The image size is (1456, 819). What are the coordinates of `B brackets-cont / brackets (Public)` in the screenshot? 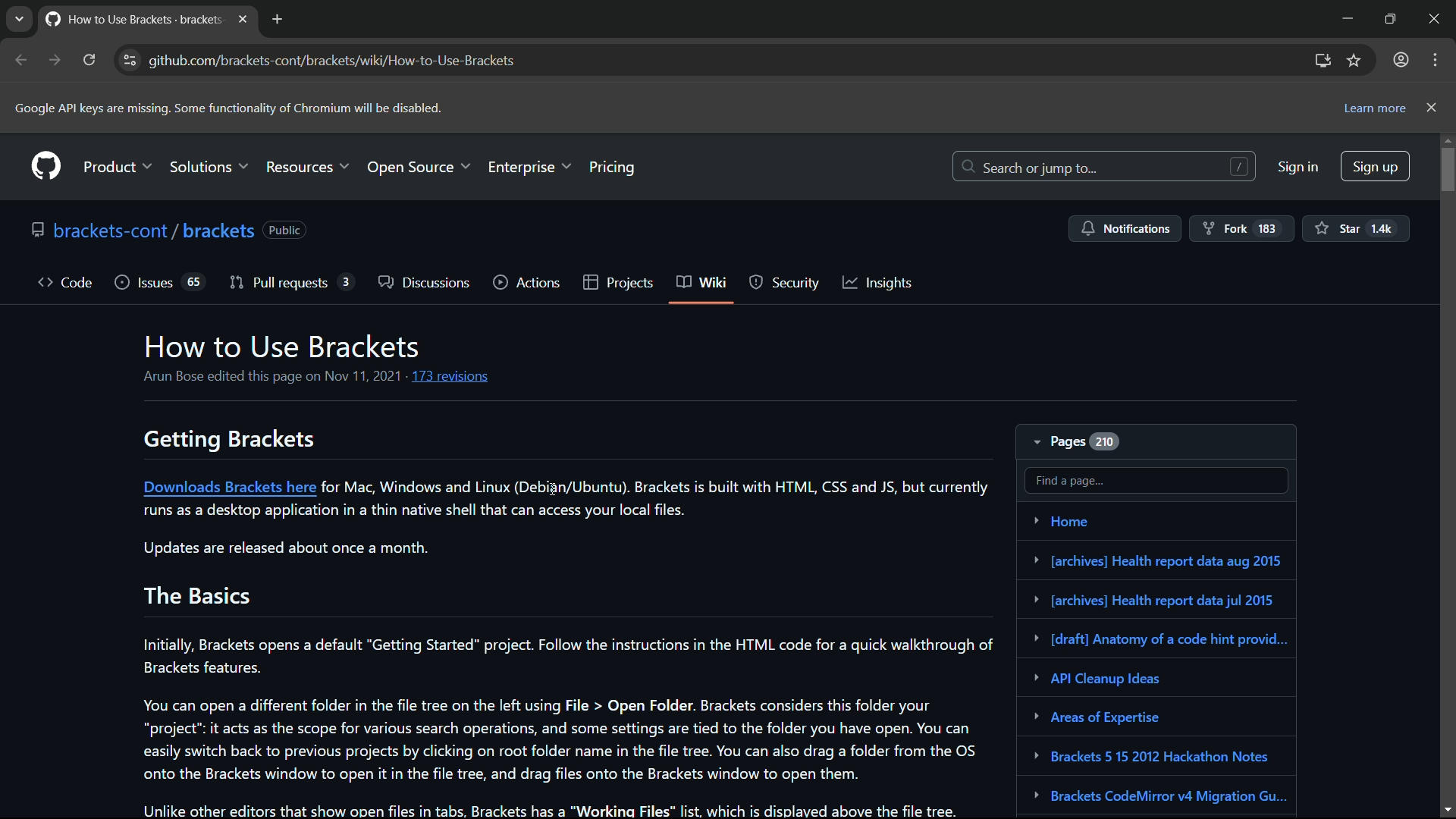 It's located at (170, 229).